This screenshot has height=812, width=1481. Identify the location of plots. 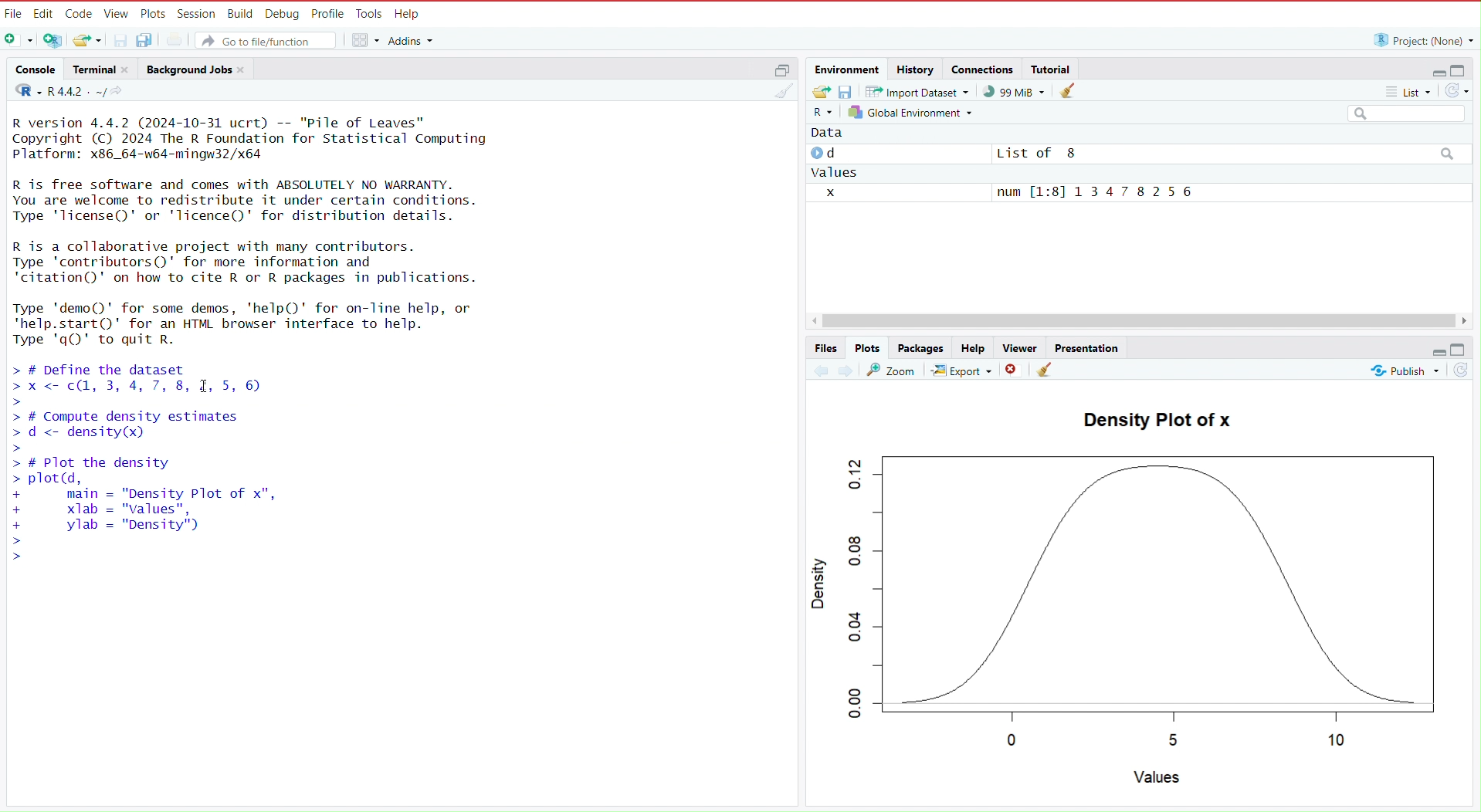
(154, 12).